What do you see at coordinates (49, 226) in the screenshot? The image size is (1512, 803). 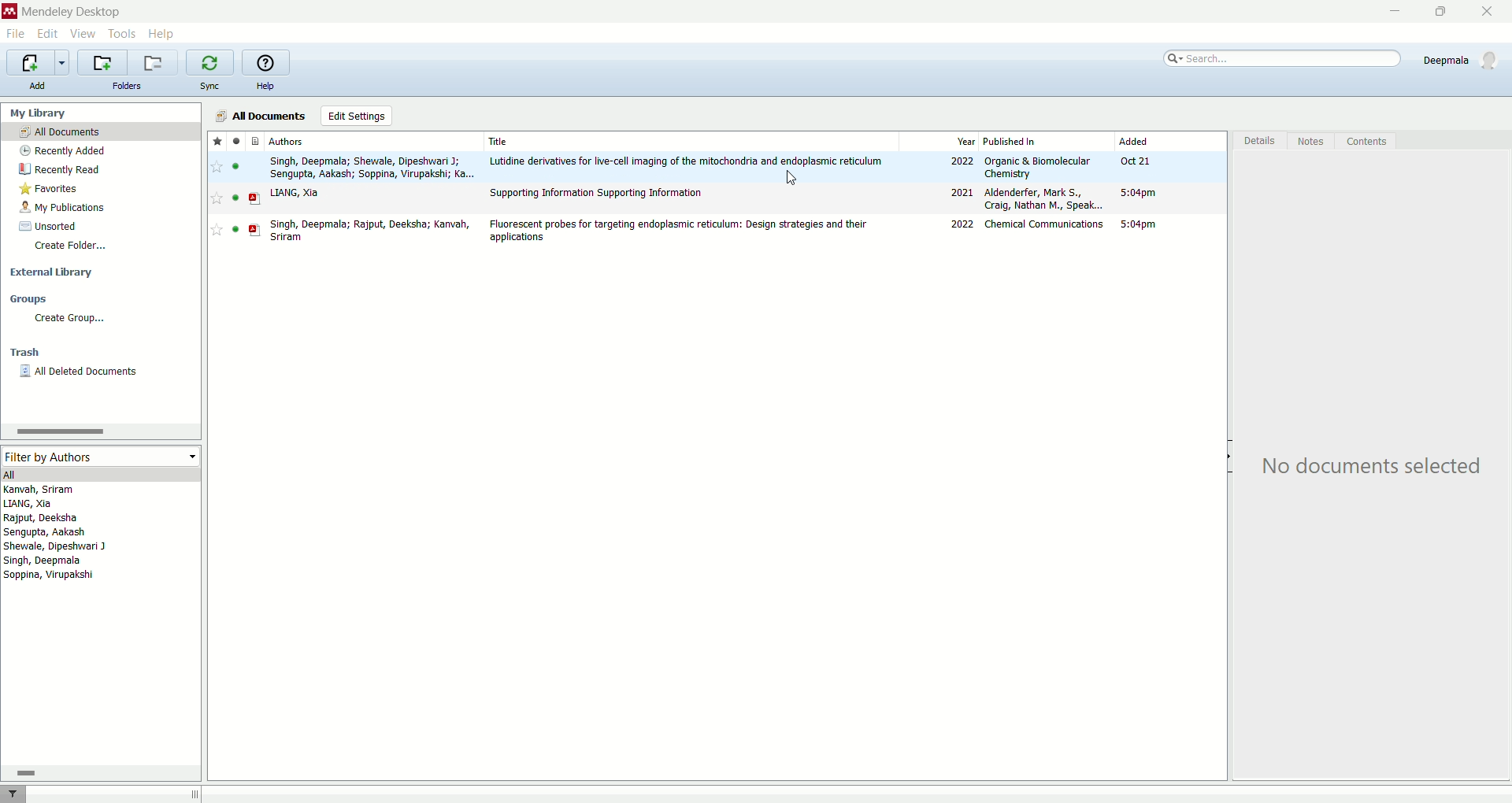 I see `sorted` at bounding box center [49, 226].